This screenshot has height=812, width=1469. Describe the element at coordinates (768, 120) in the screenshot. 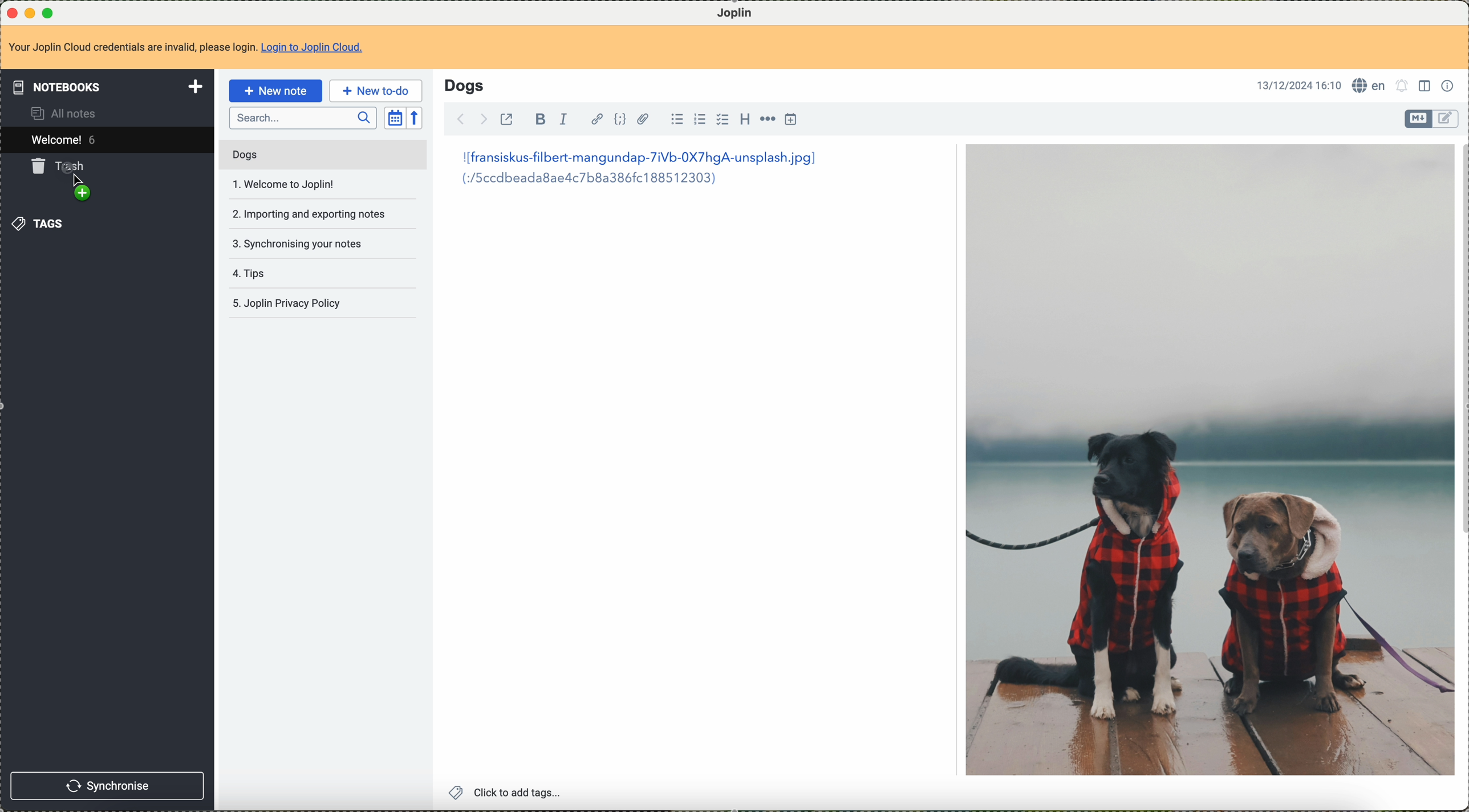

I see `horizontal rule` at that location.